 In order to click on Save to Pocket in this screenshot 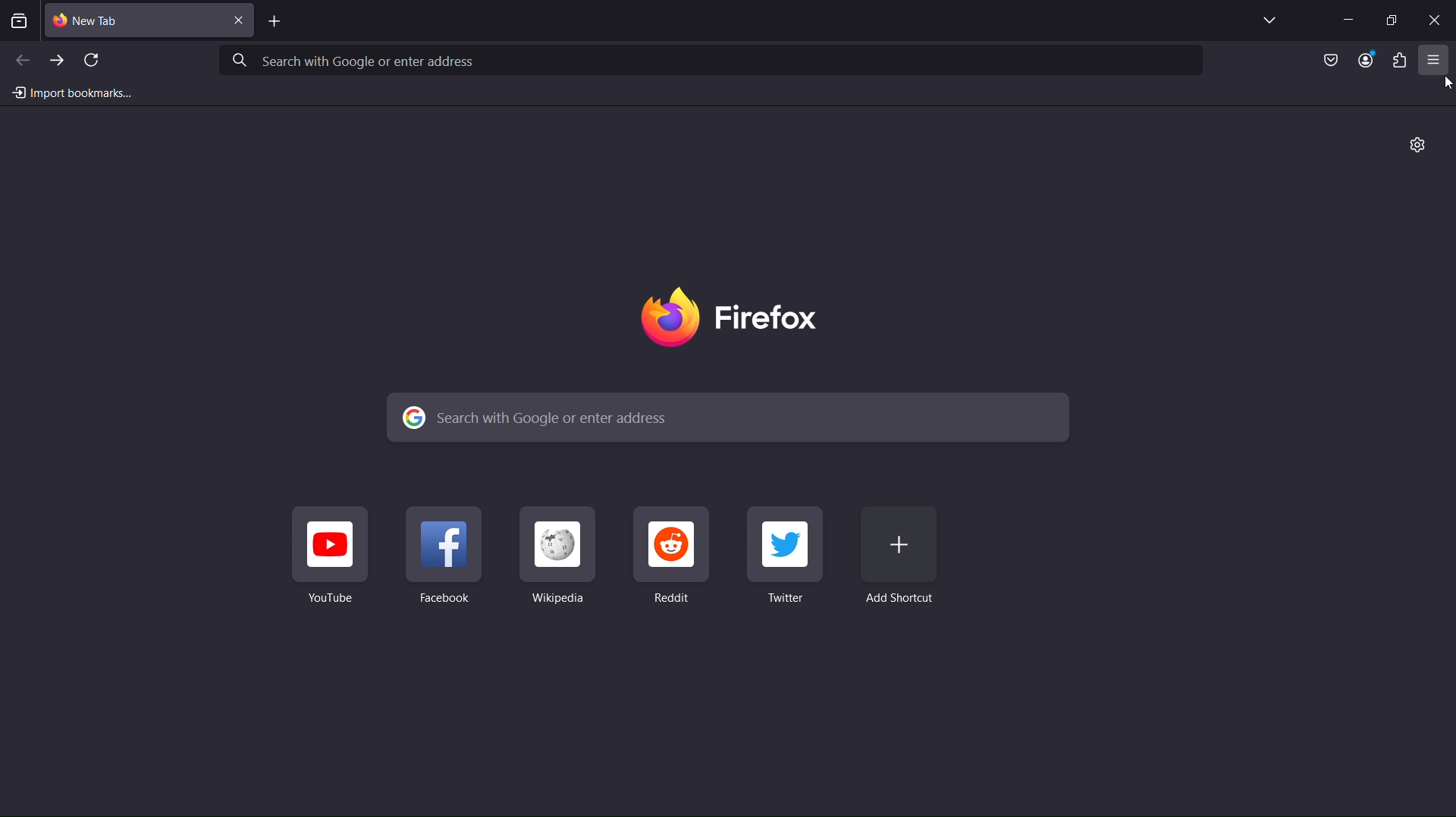, I will do `click(1332, 61)`.